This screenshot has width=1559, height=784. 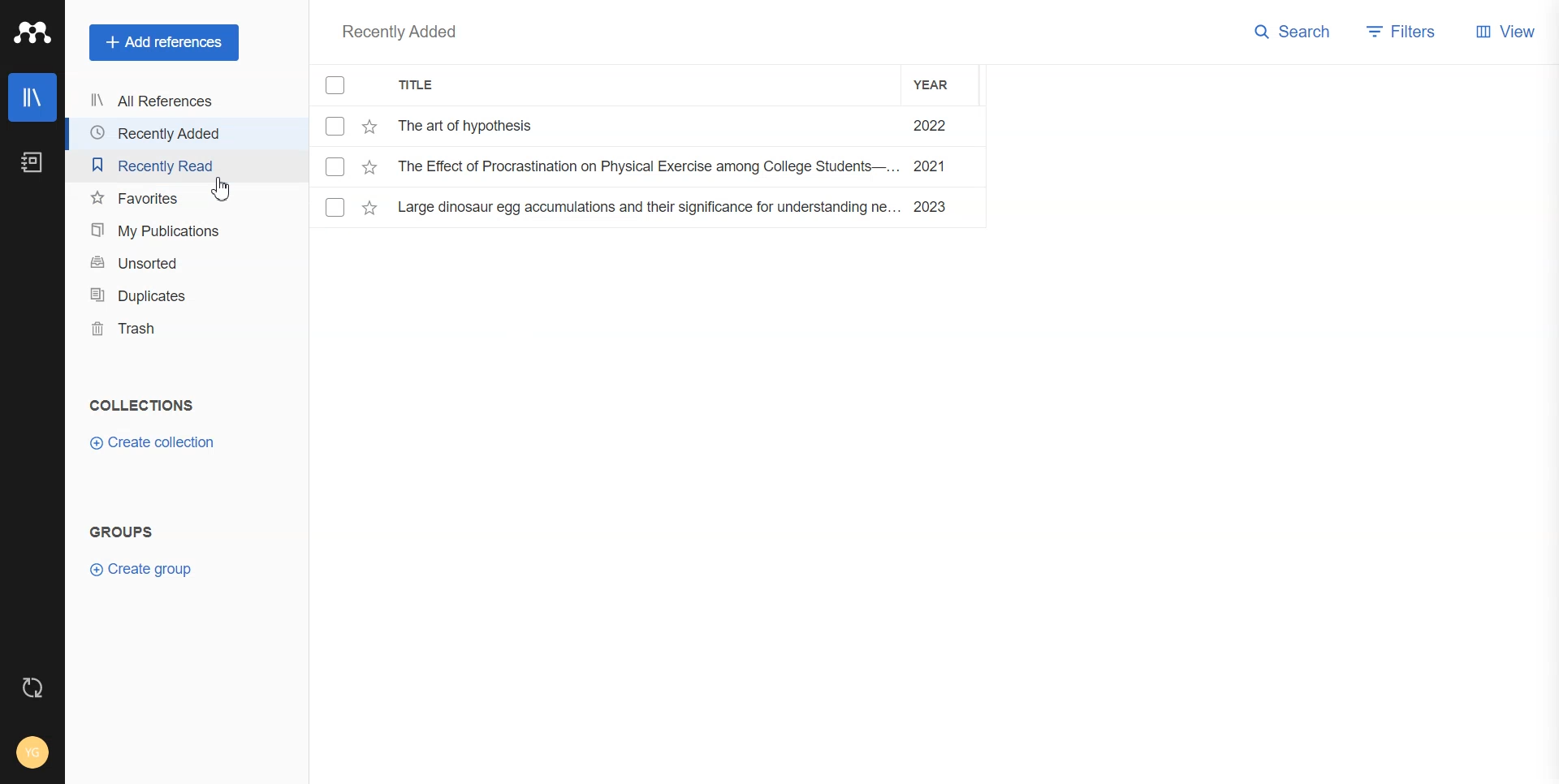 I want to click on Recently Added, so click(x=398, y=32).